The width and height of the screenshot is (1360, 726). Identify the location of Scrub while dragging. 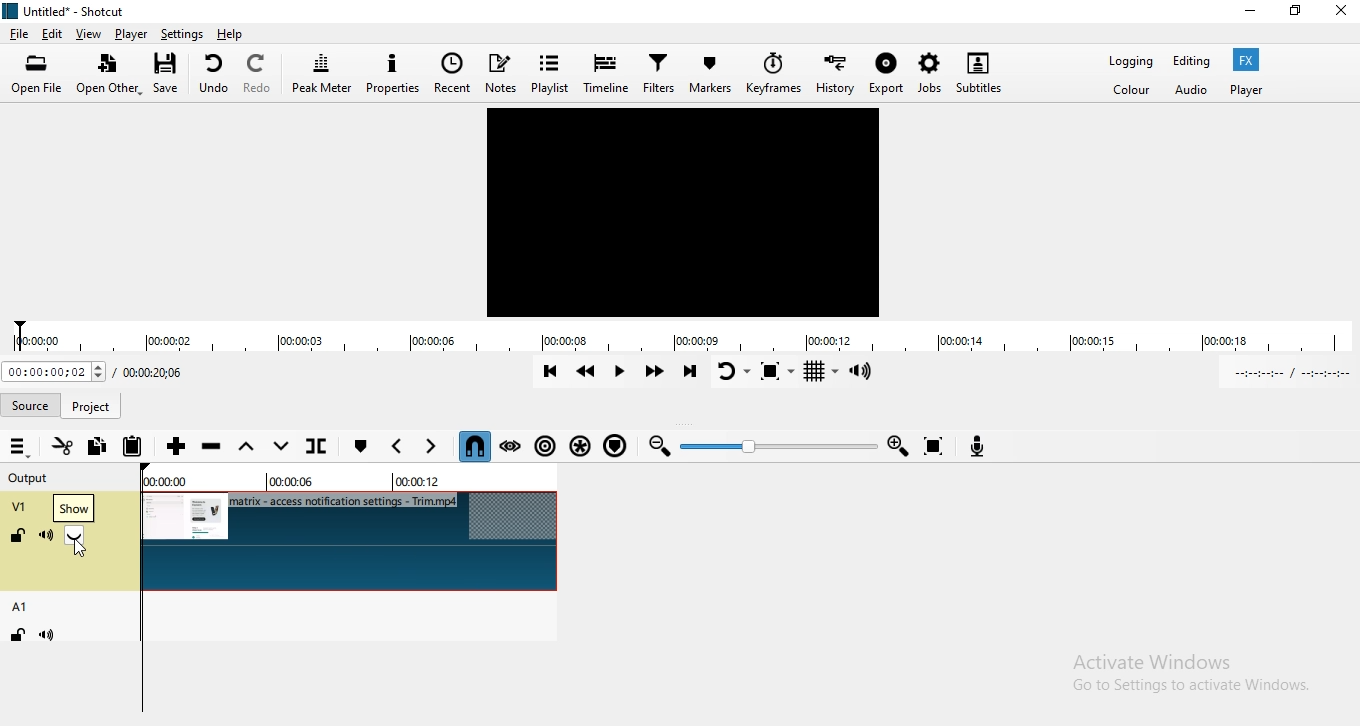
(509, 445).